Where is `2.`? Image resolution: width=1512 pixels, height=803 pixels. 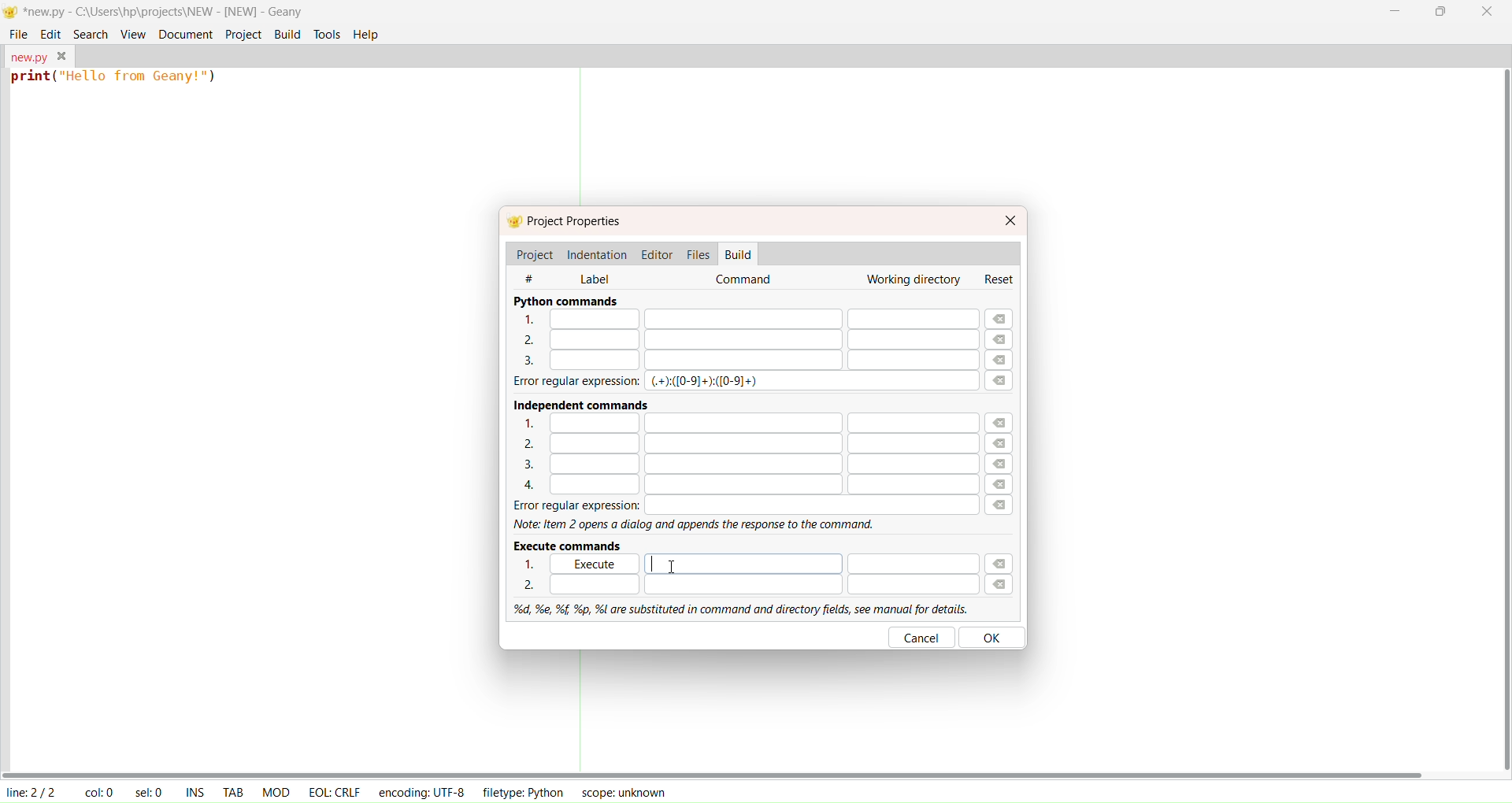
2. is located at coordinates (736, 339).